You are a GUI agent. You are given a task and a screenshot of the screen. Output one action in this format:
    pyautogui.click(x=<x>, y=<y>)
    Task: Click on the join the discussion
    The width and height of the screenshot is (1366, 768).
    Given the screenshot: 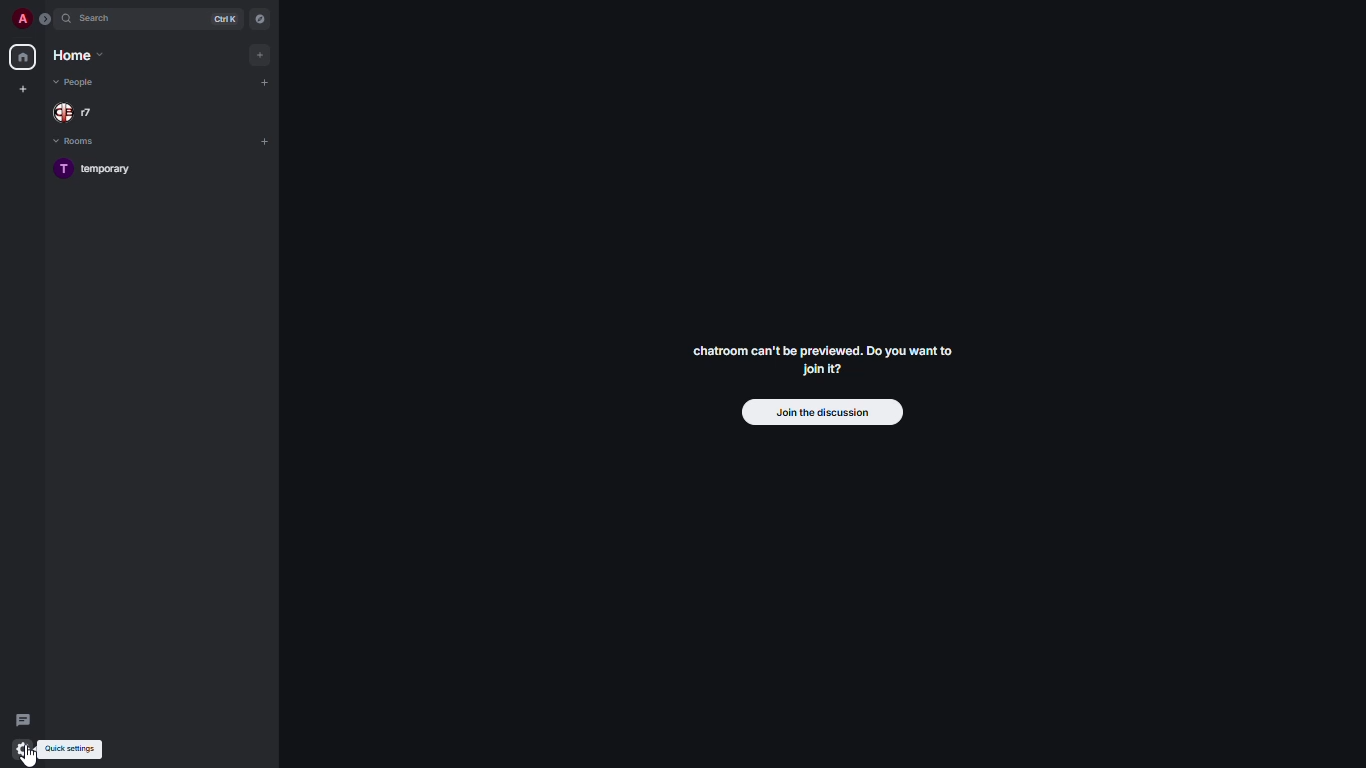 What is the action you would take?
    pyautogui.click(x=822, y=411)
    